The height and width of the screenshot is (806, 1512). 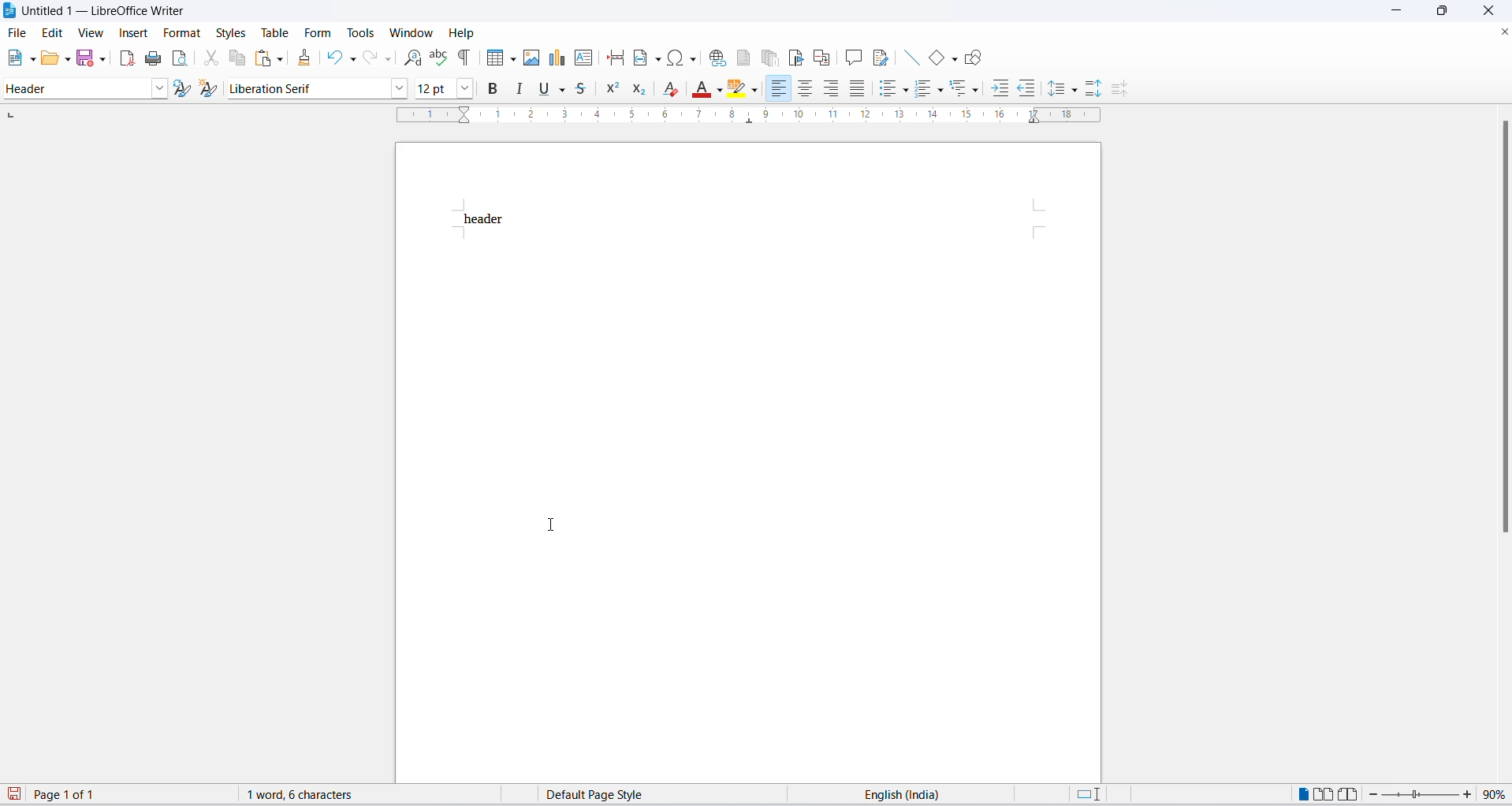 I want to click on show track changes functions, so click(x=879, y=57).